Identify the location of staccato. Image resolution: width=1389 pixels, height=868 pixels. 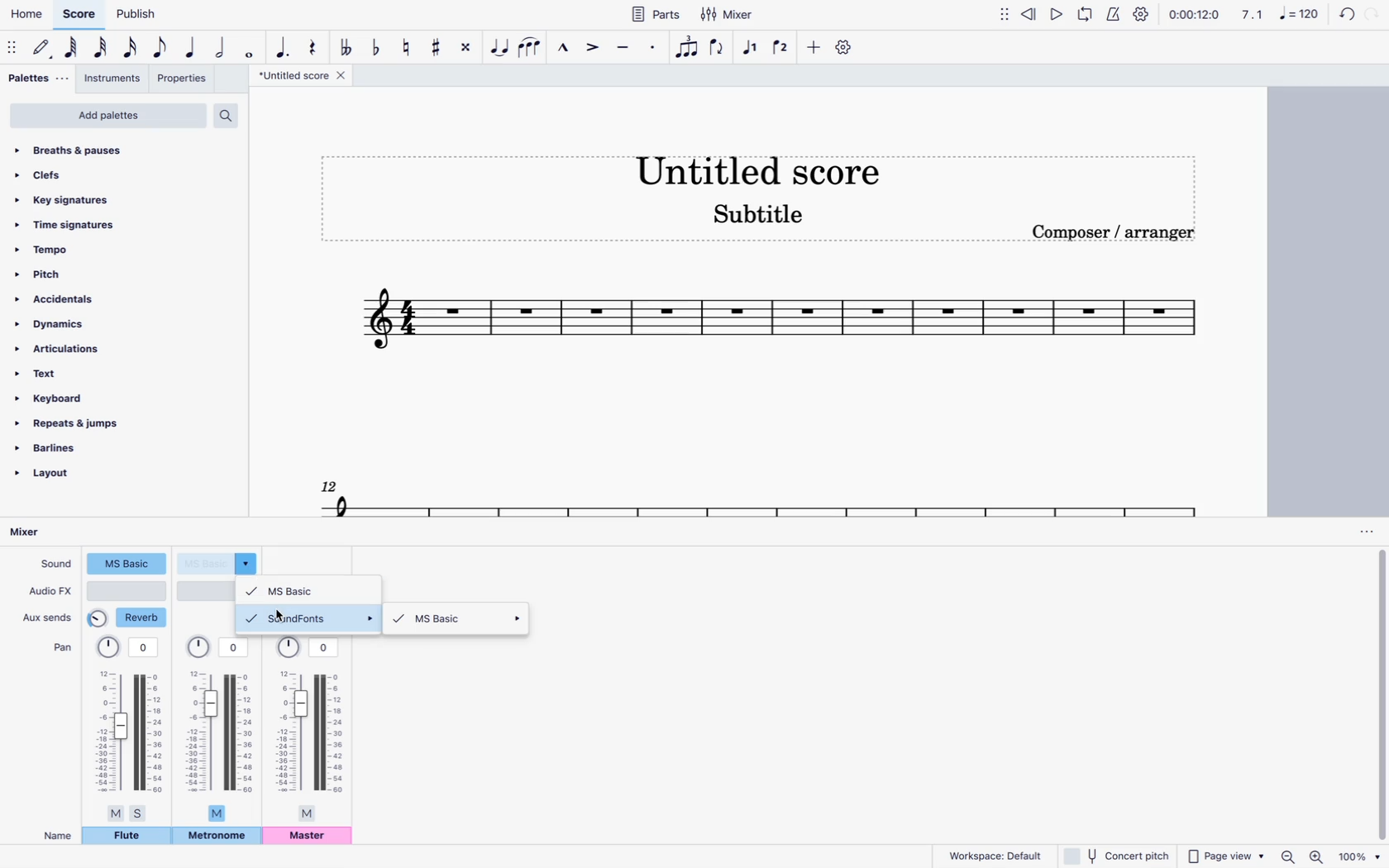
(652, 51).